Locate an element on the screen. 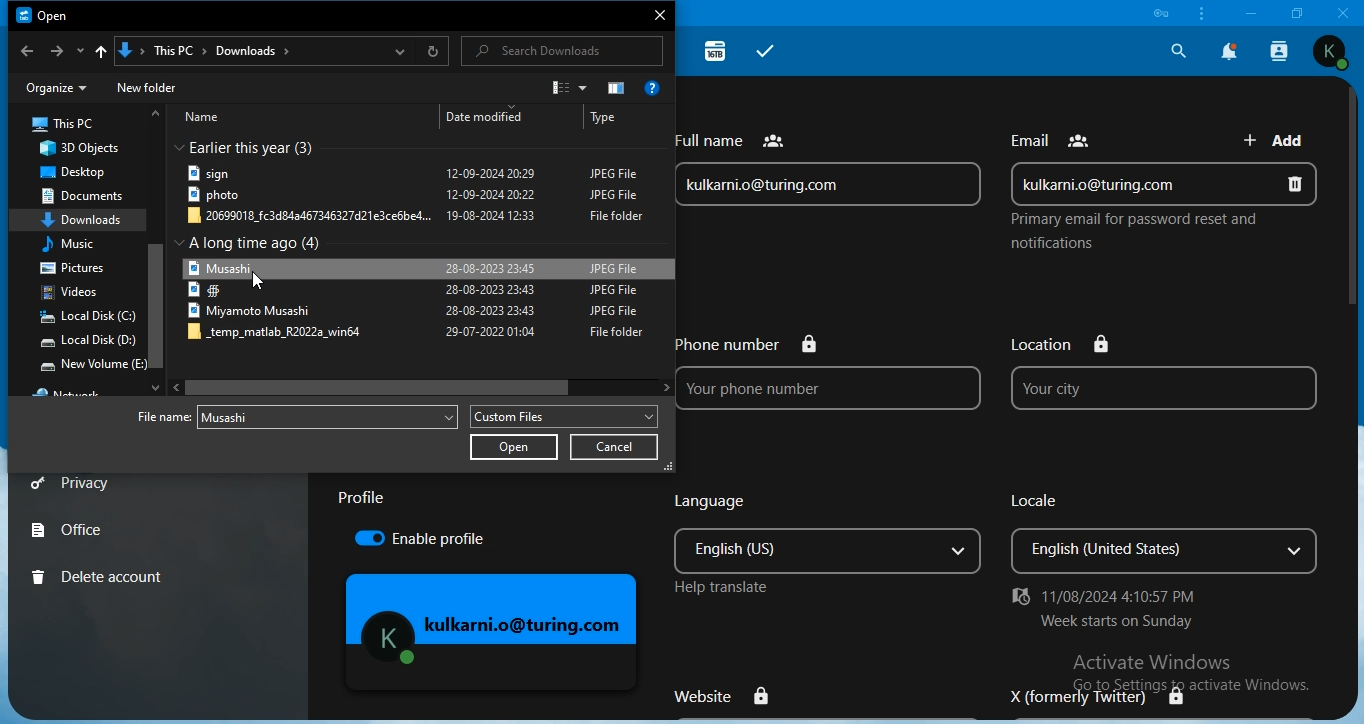 Image resolution: width=1364 pixels, height=724 pixels. close is located at coordinates (1344, 12).